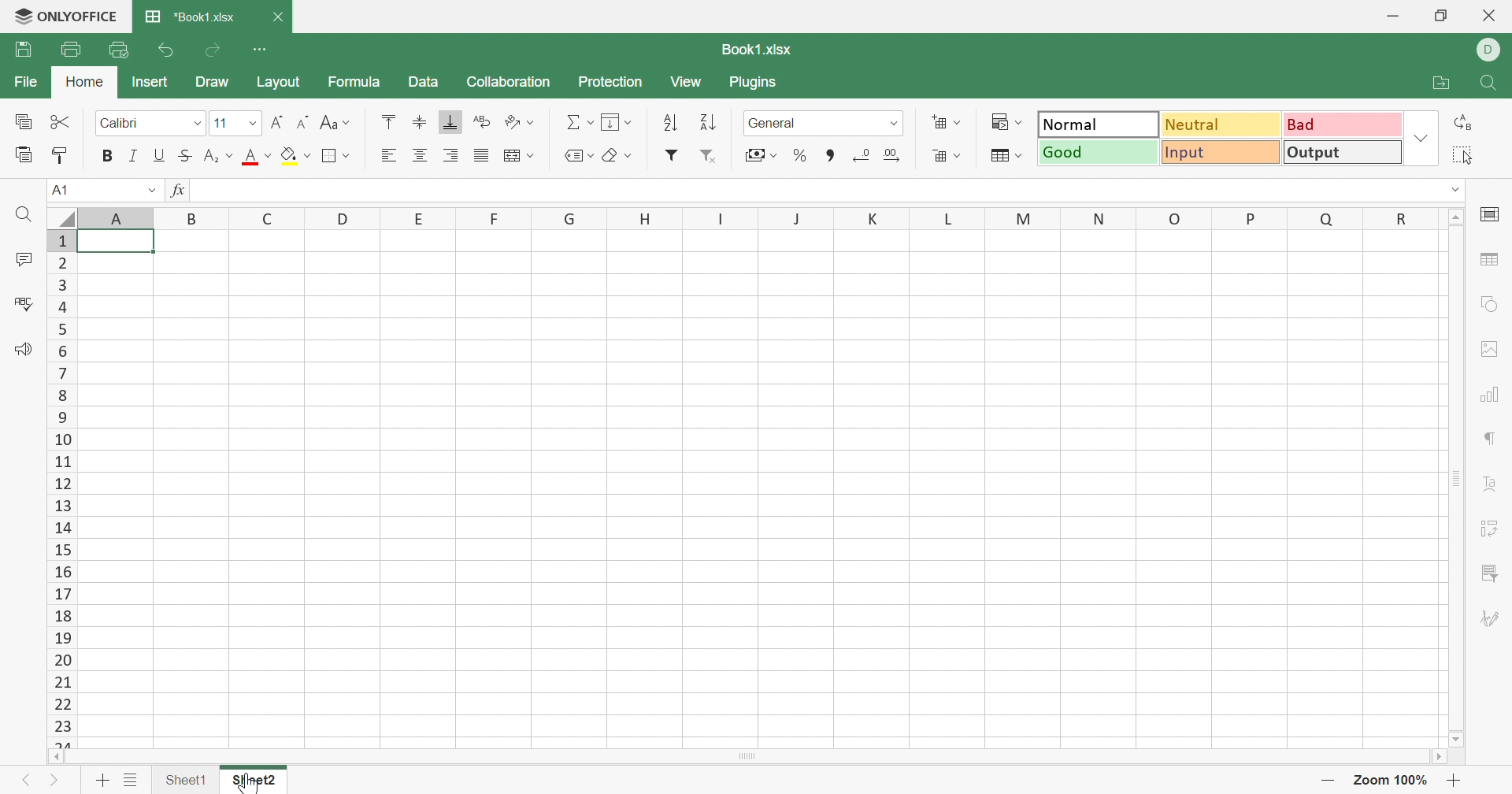 The height and width of the screenshot is (794, 1512). What do you see at coordinates (613, 80) in the screenshot?
I see `Protection` at bounding box center [613, 80].